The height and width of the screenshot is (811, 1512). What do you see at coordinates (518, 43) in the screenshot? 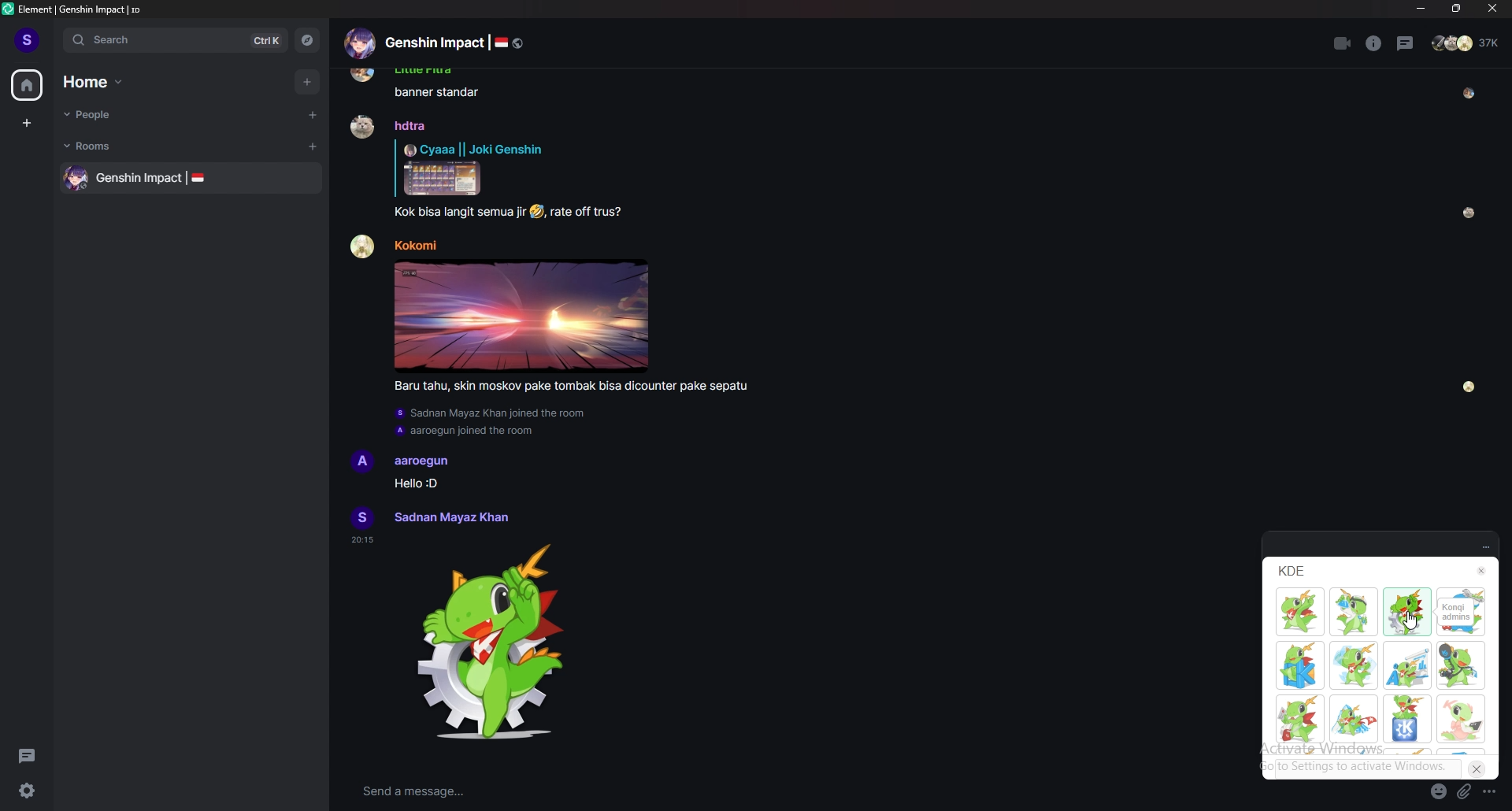
I see `Indicates group is public` at bounding box center [518, 43].